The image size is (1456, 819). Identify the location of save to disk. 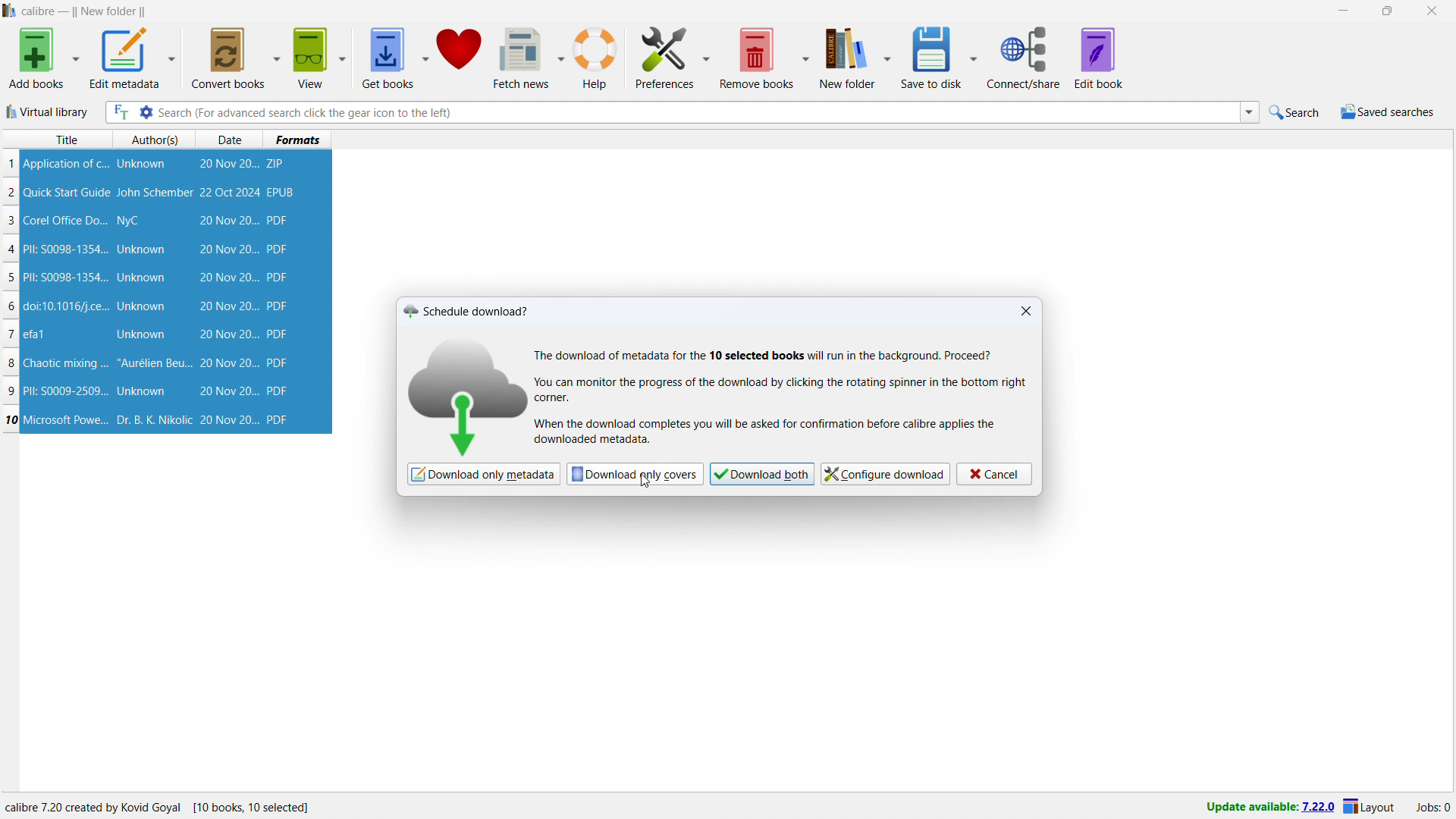
(933, 56).